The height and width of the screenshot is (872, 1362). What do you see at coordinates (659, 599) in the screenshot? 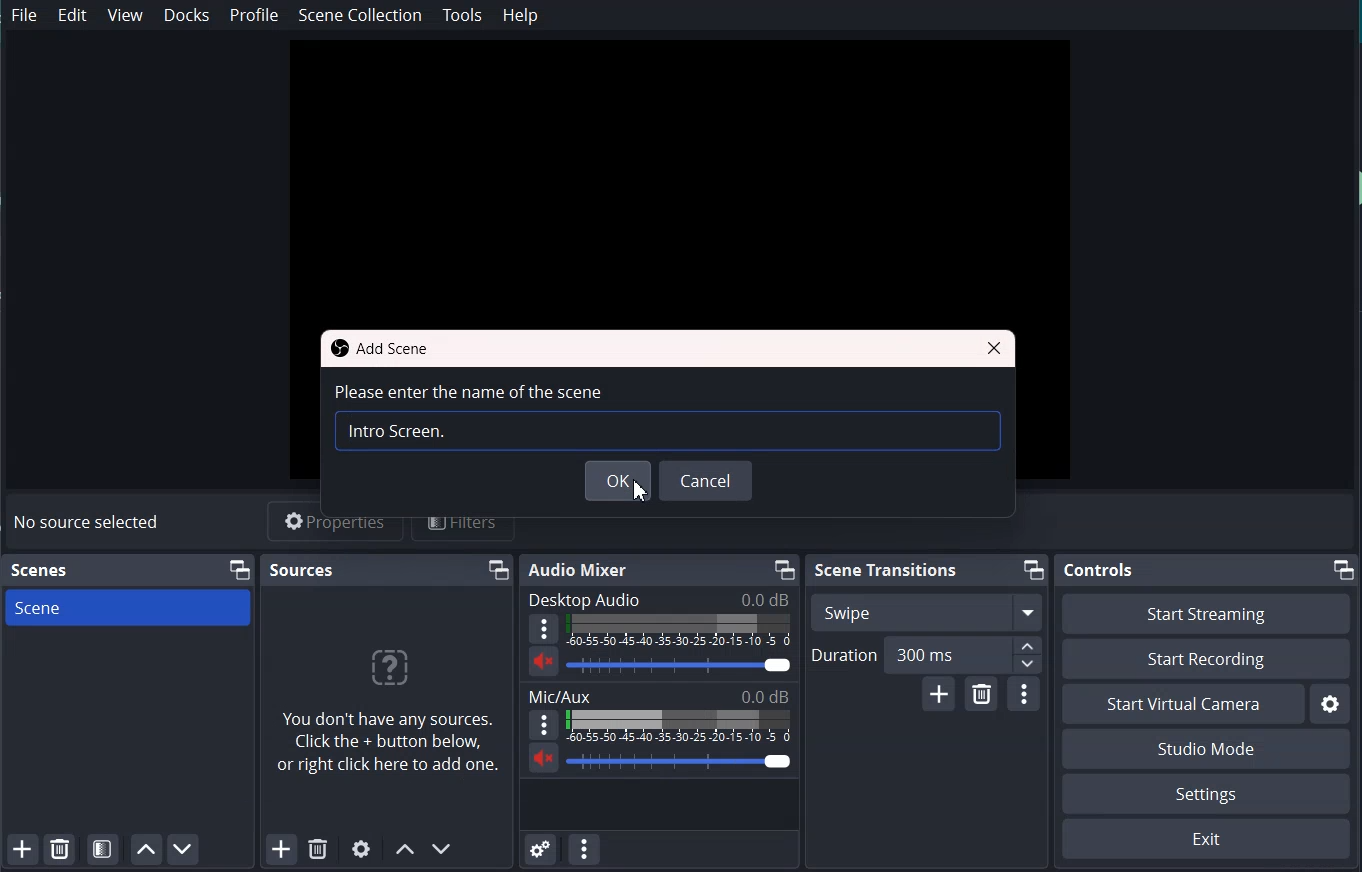
I see `Text` at bounding box center [659, 599].